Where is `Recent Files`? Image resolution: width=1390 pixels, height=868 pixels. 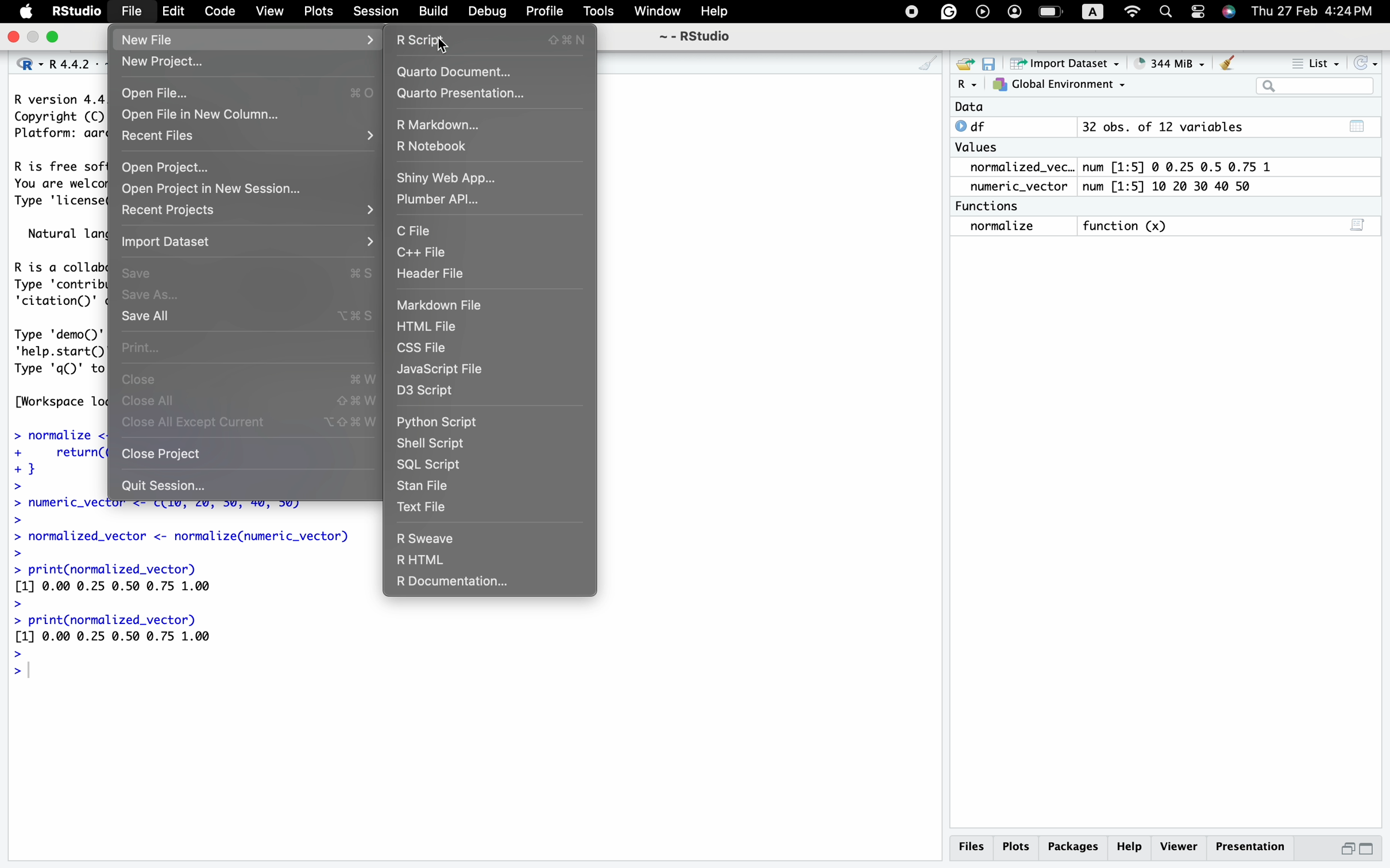 Recent Files is located at coordinates (156, 138).